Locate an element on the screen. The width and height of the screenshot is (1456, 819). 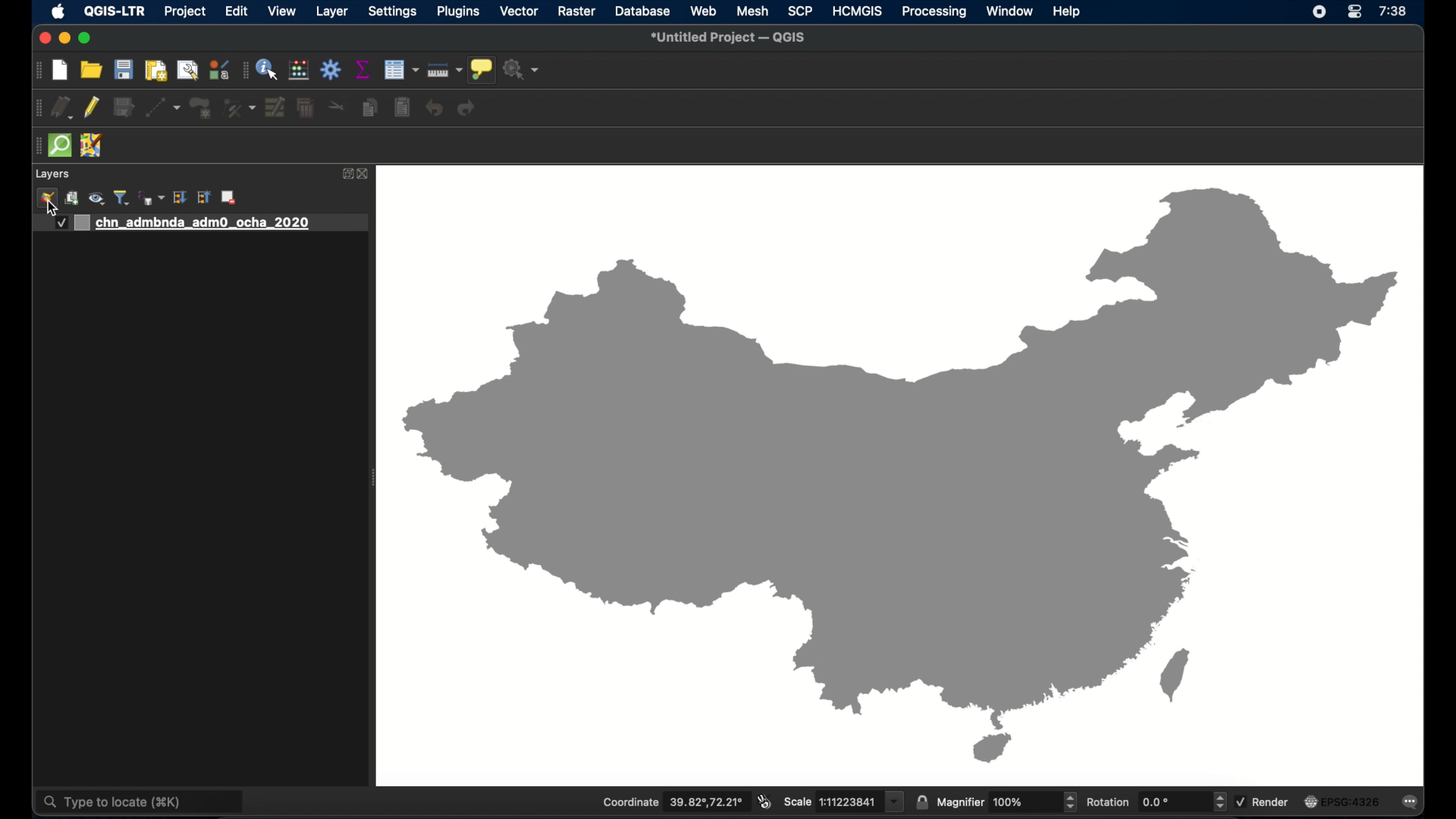
vector is located at coordinates (519, 11).